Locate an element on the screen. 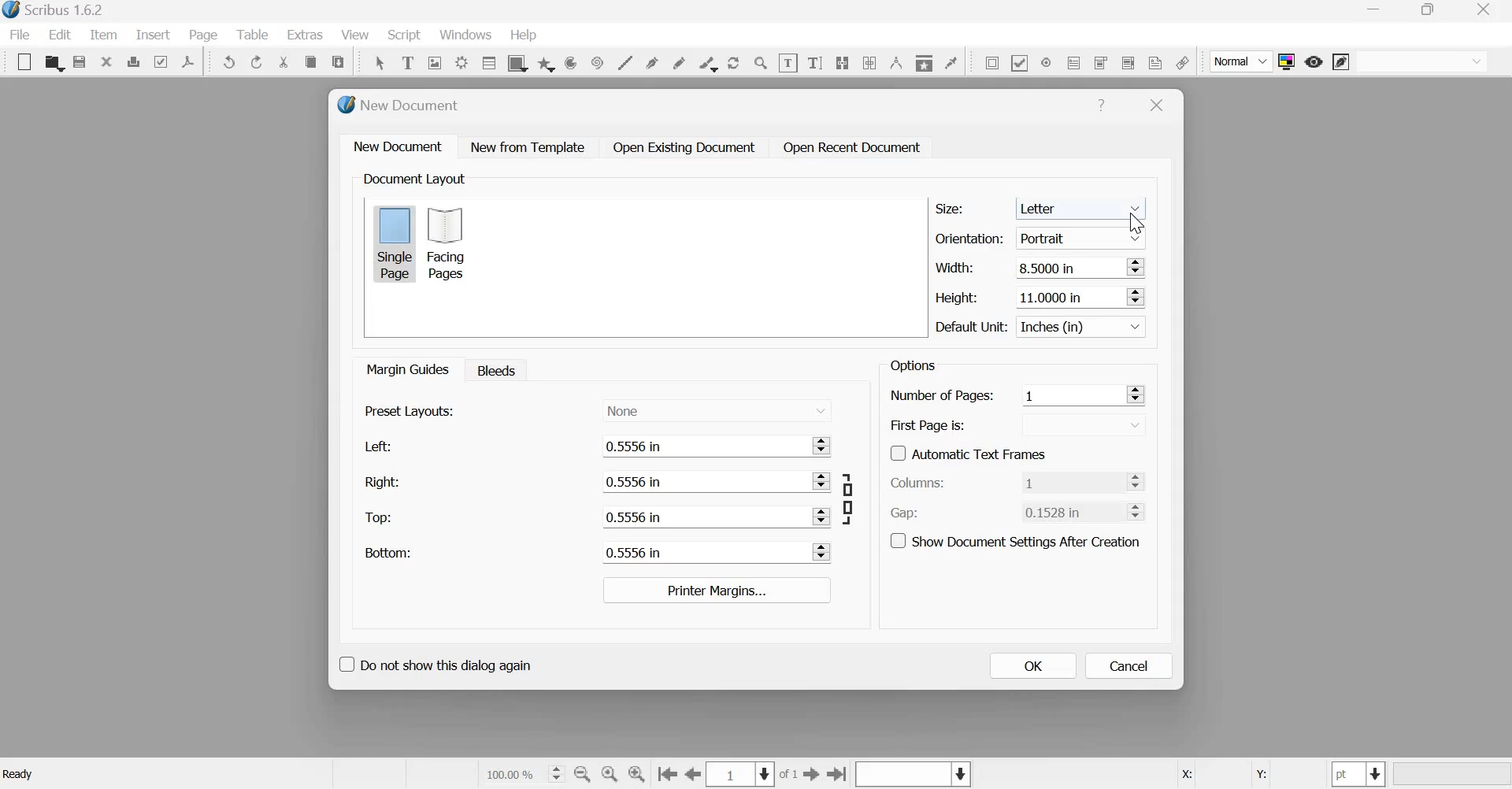  OK is located at coordinates (1032, 665).